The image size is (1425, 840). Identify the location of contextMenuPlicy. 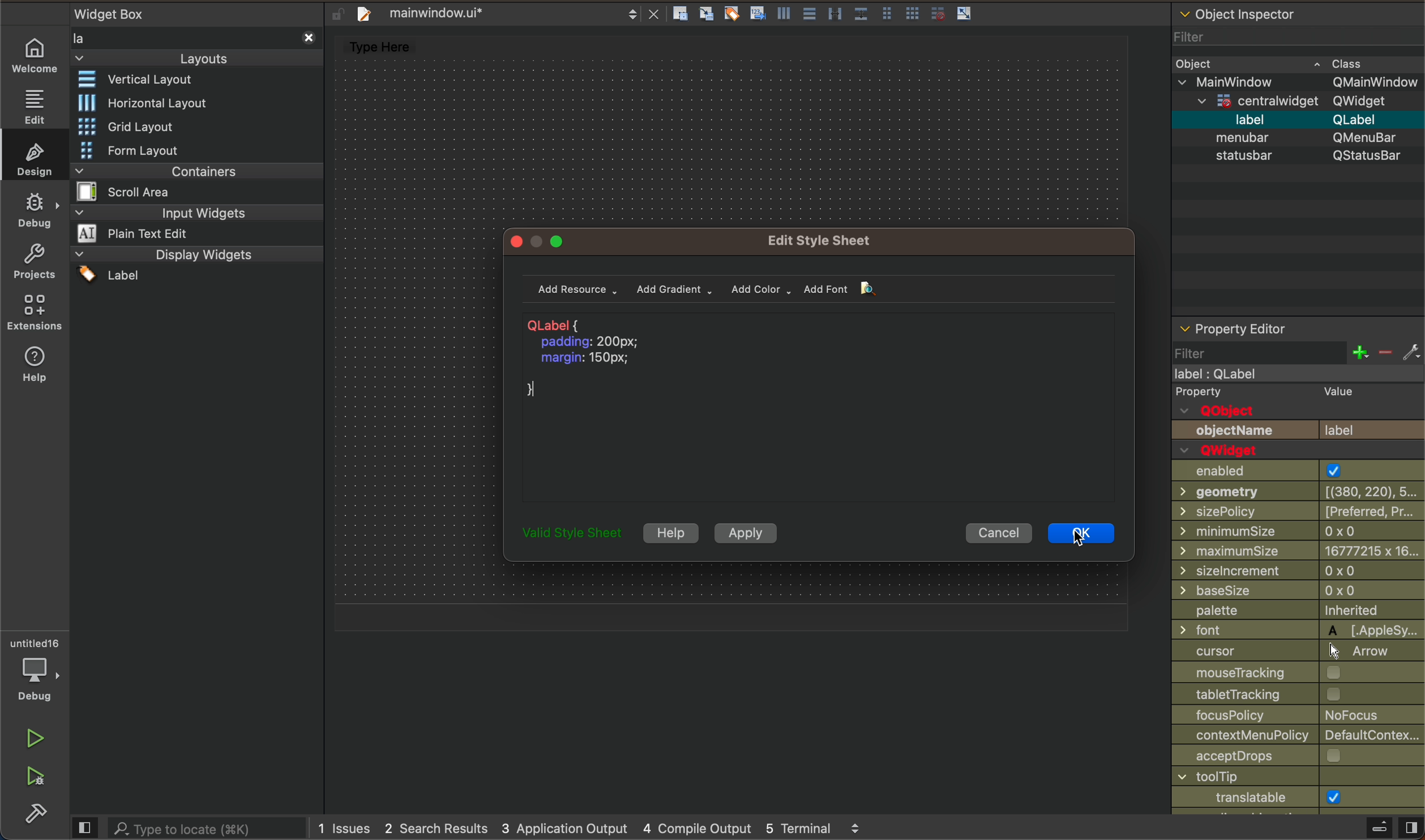
(1299, 736).